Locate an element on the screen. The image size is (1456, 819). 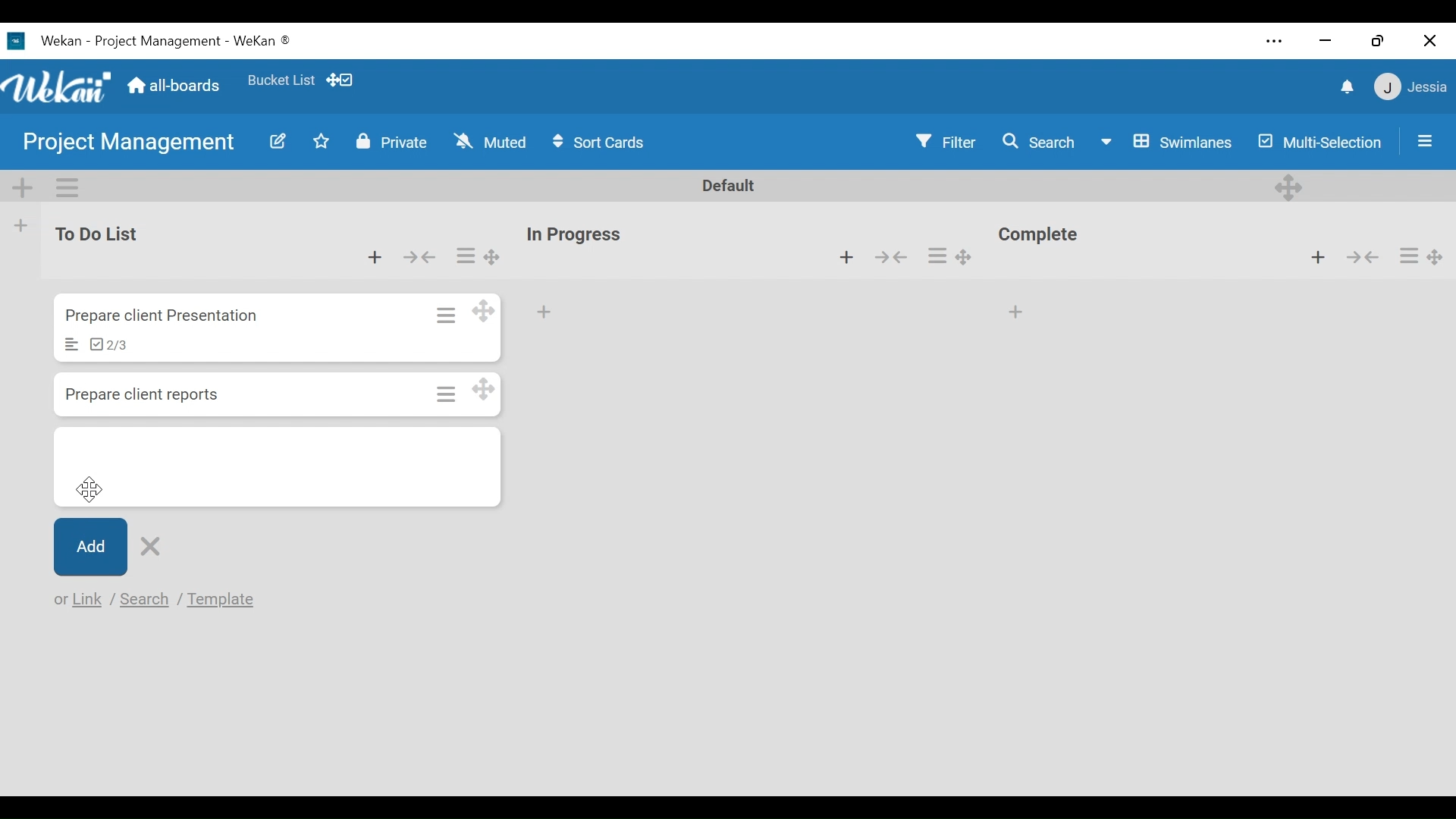
more is located at coordinates (1270, 40).